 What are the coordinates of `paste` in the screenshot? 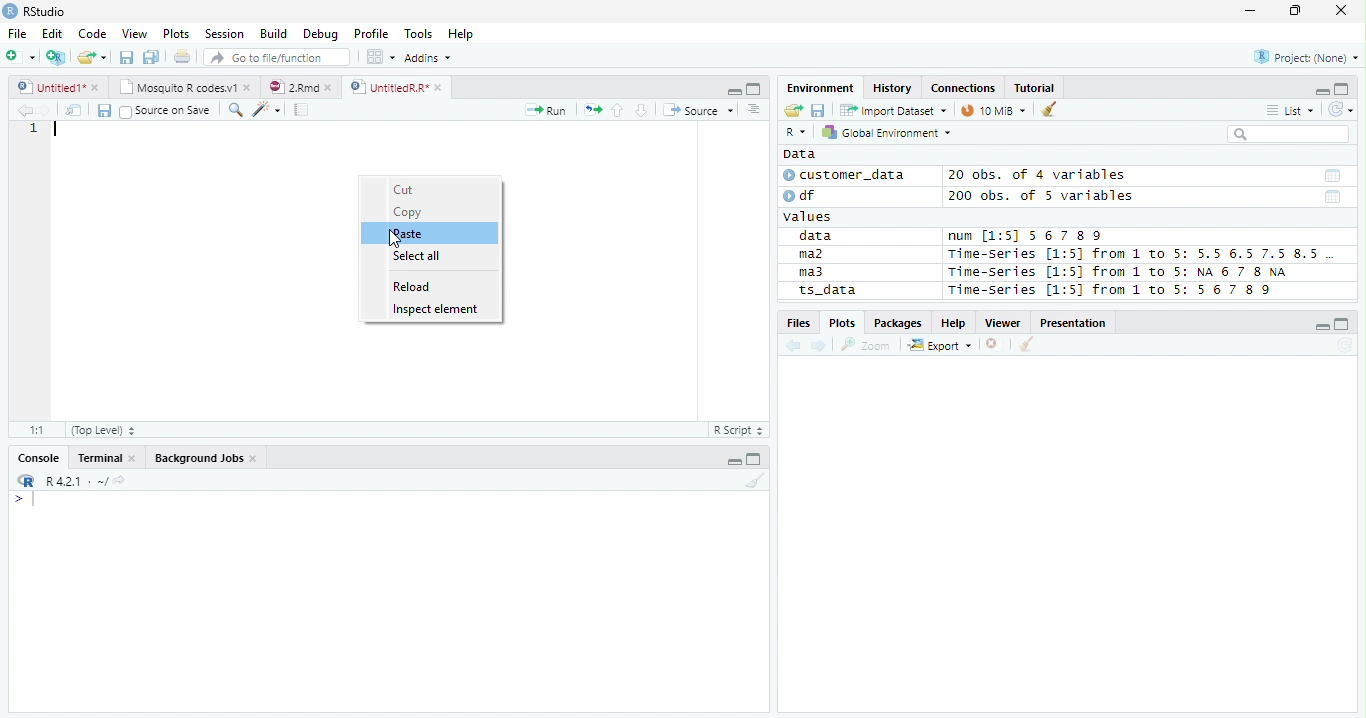 It's located at (407, 234).